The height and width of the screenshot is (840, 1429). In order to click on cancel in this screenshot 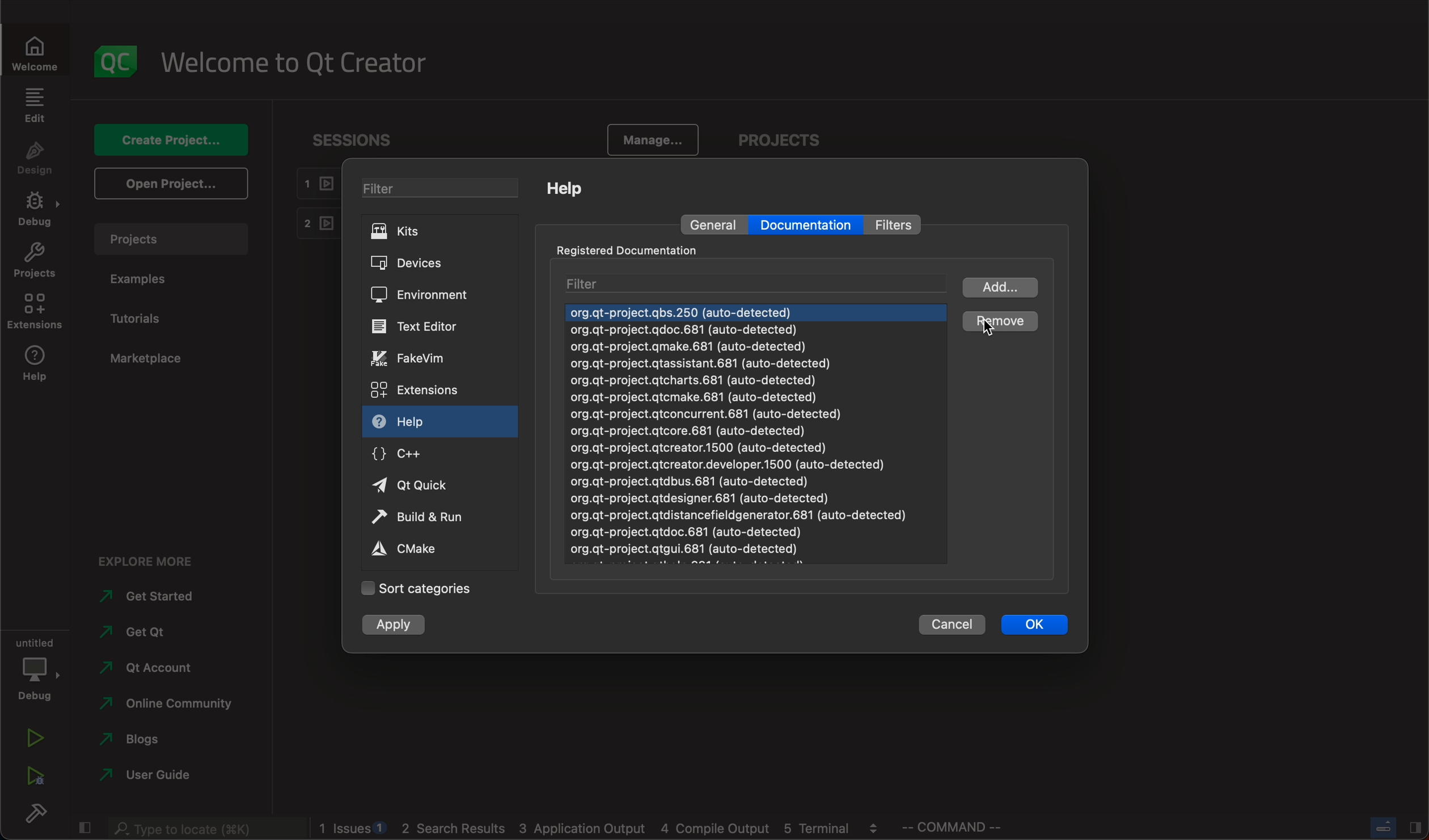, I will do `click(938, 624)`.